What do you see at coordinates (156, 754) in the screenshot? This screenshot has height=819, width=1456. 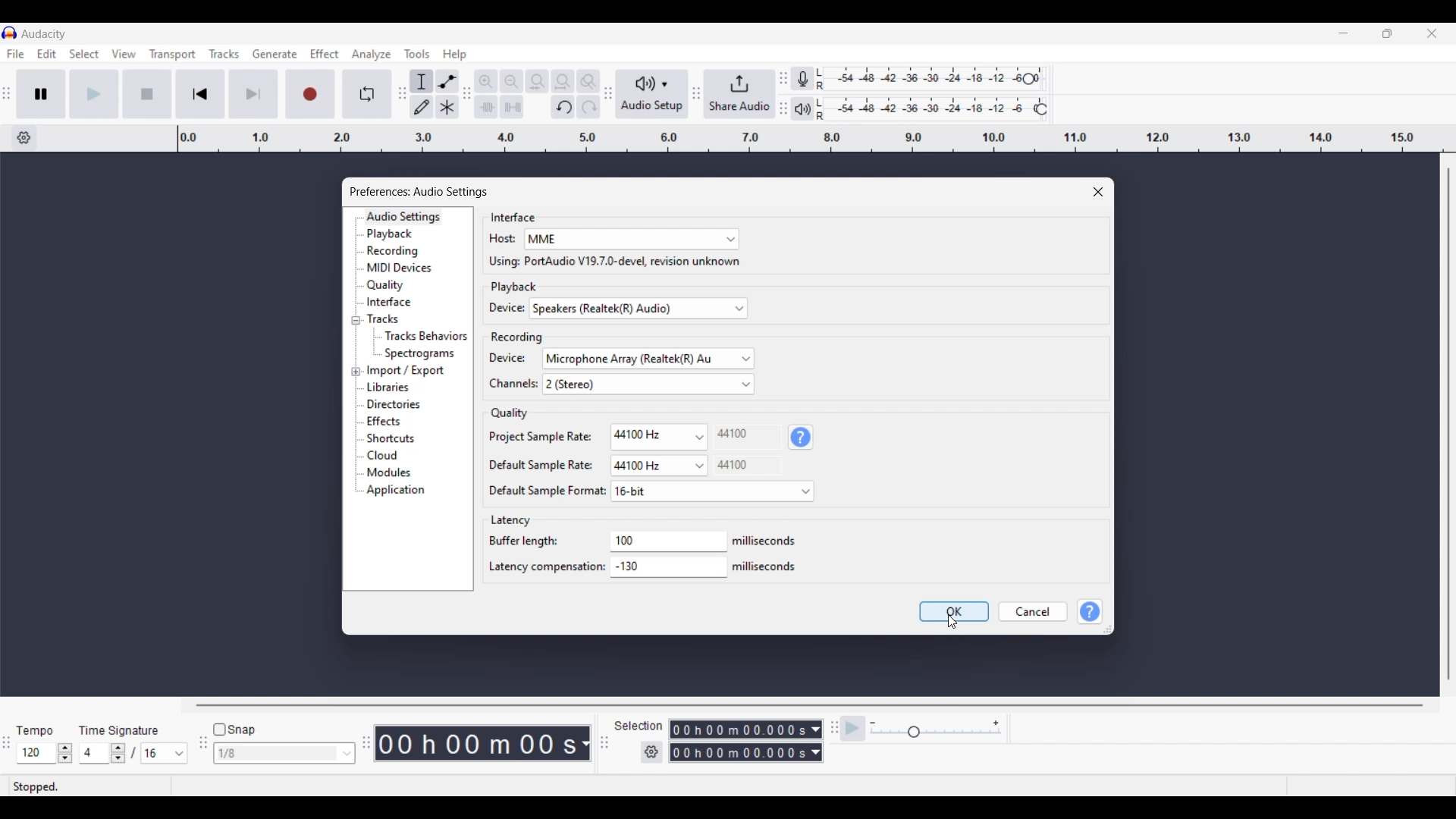 I see `Selected time signature` at bounding box center [156, 754].